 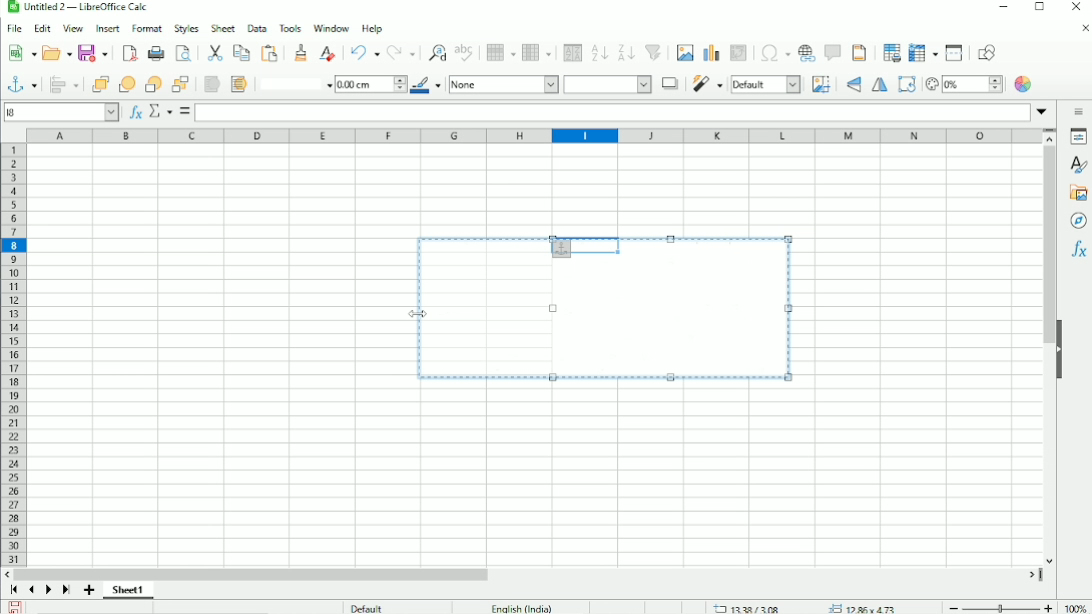 I want to click on Save, so click(x=93, y=54).